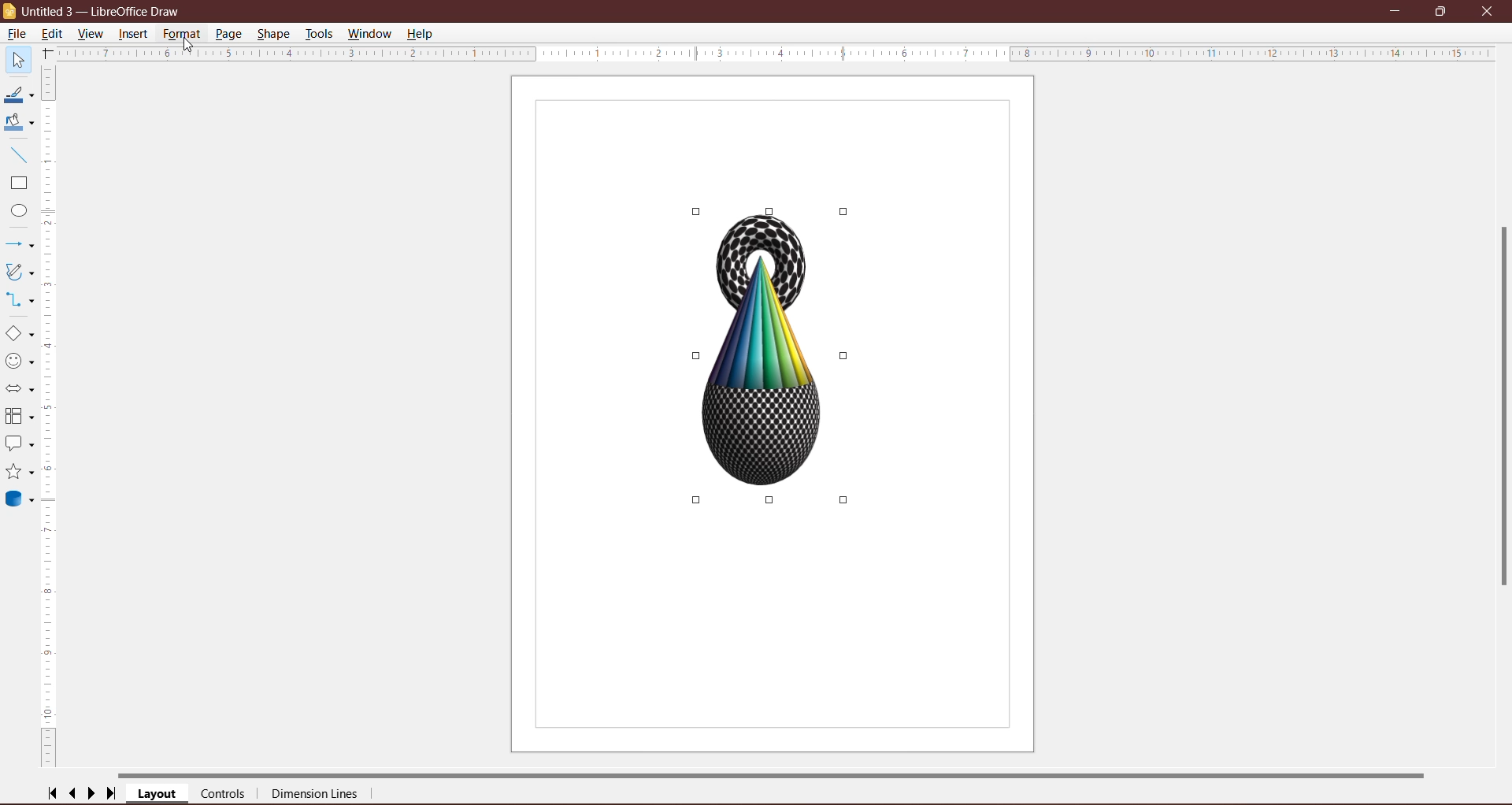  What do you see at coordinates (422, 35) in the screenshot?
I see `Help` at bounding box center [422, 35].